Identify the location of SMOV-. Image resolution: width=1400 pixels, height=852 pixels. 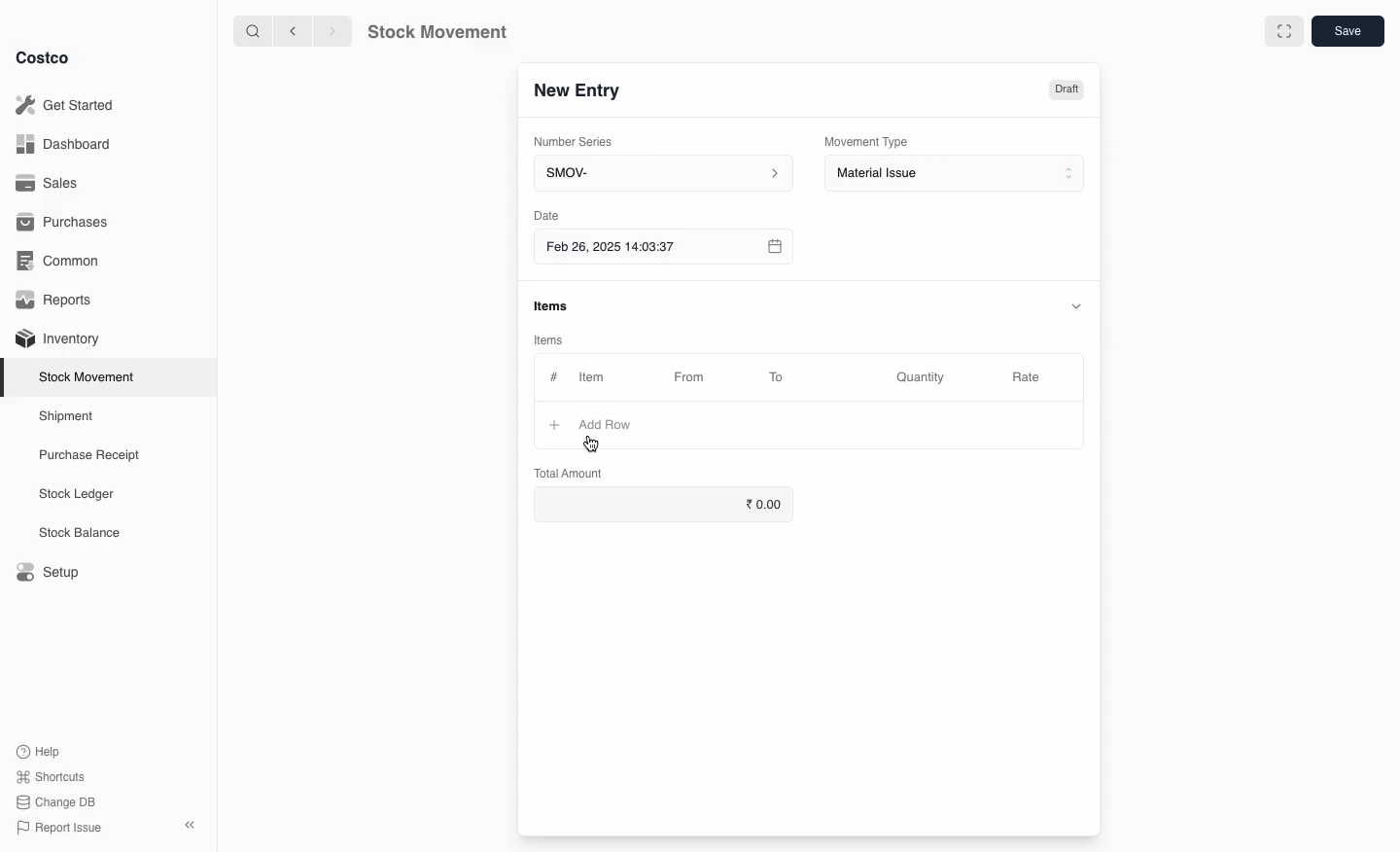
(663, 172).